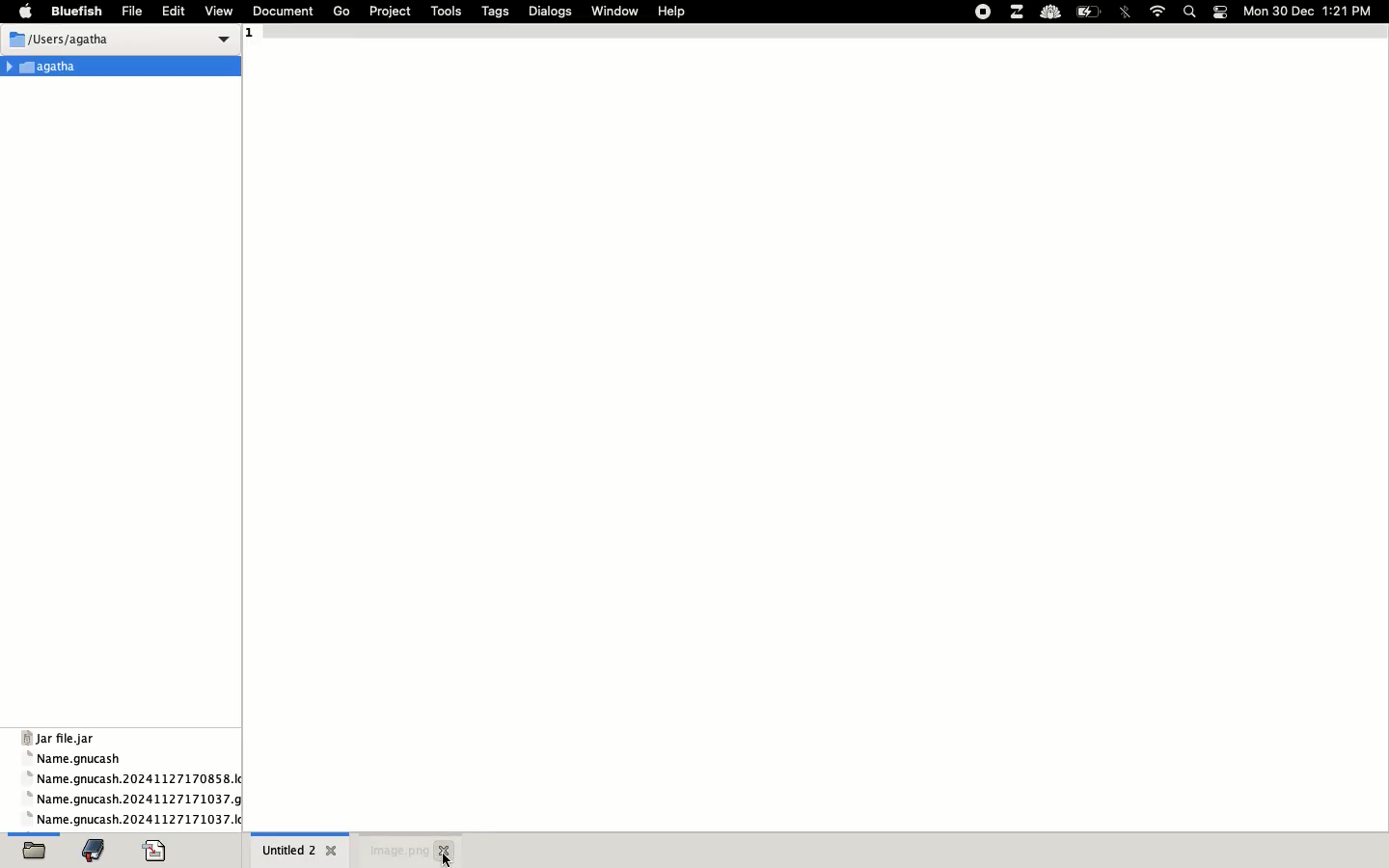  I want to click on dialogs, so click(551, 14).